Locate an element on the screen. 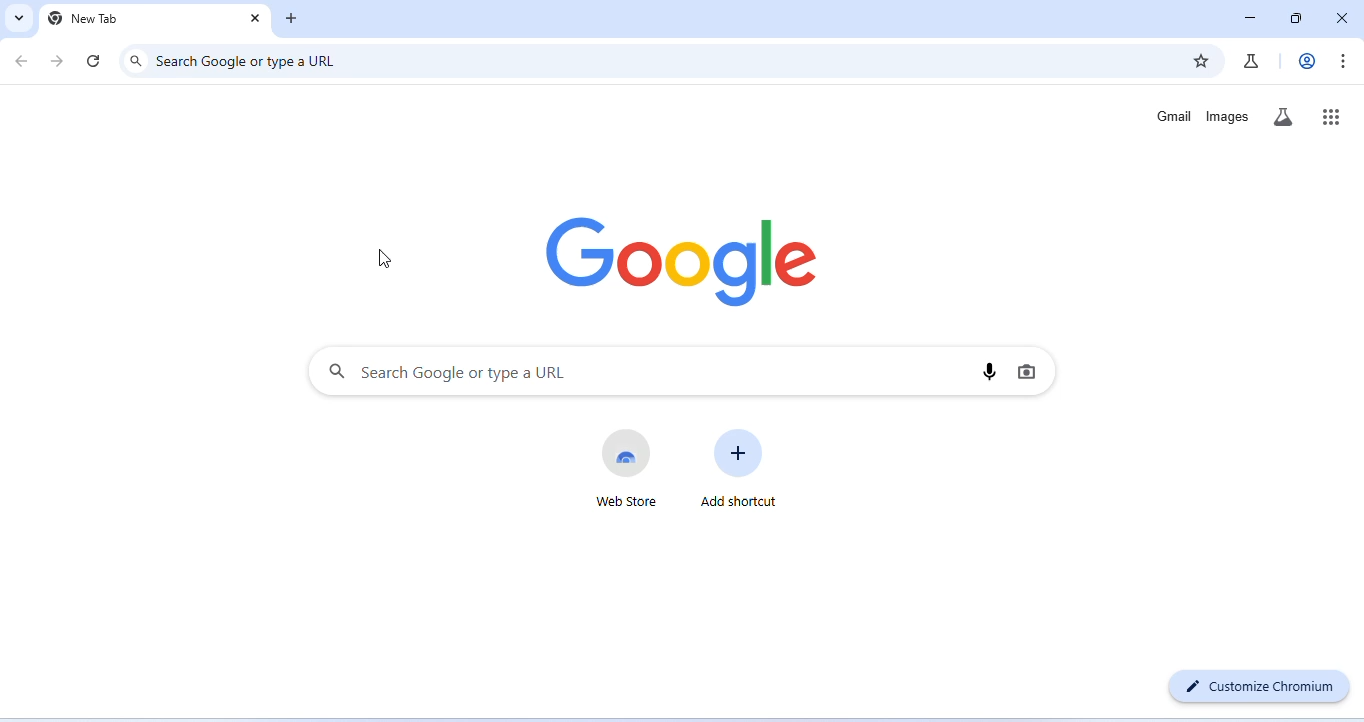  images is located at coordinates (1229, 117).